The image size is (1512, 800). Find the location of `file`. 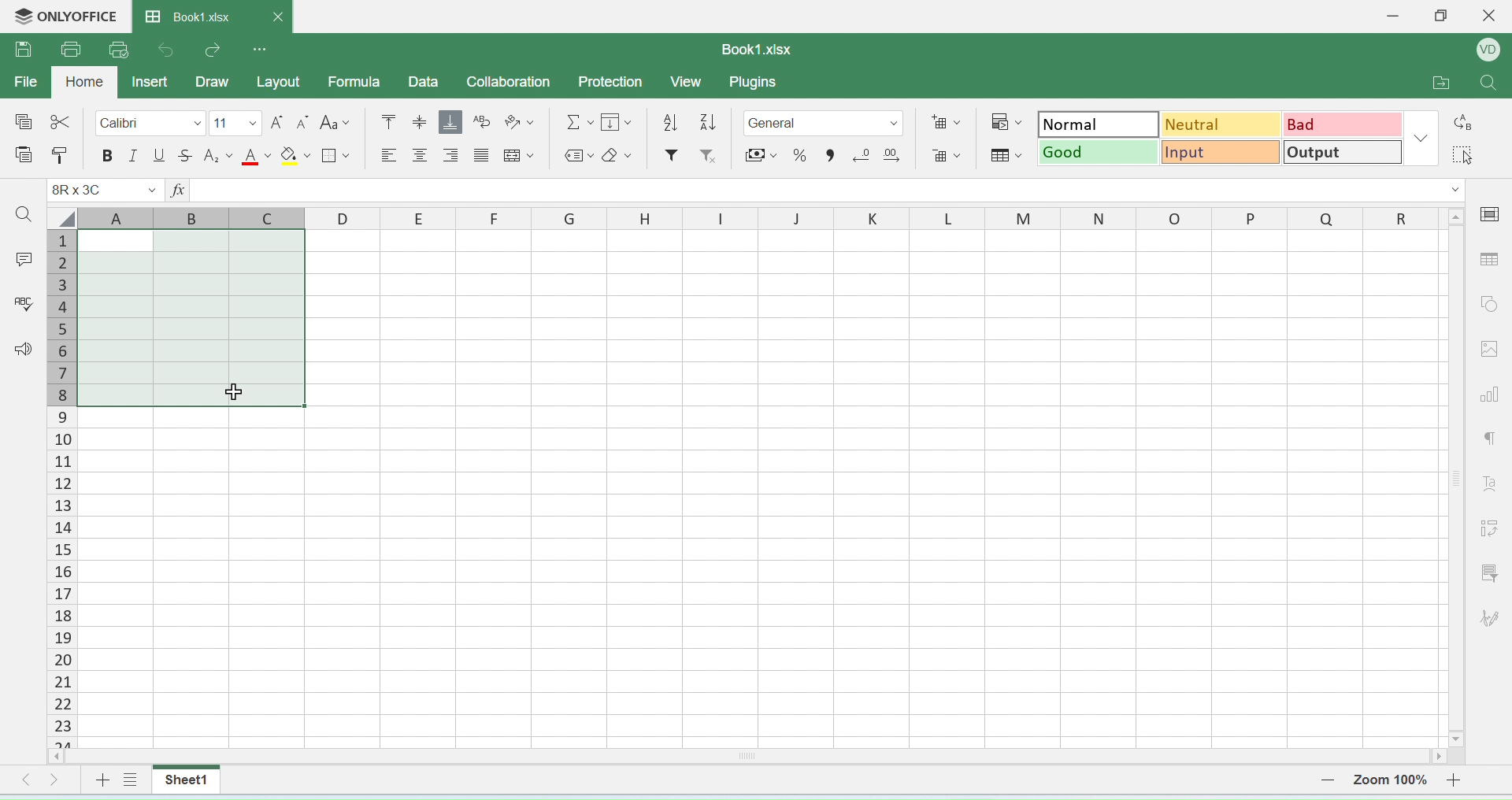

file is located at coordinates (29, 84).